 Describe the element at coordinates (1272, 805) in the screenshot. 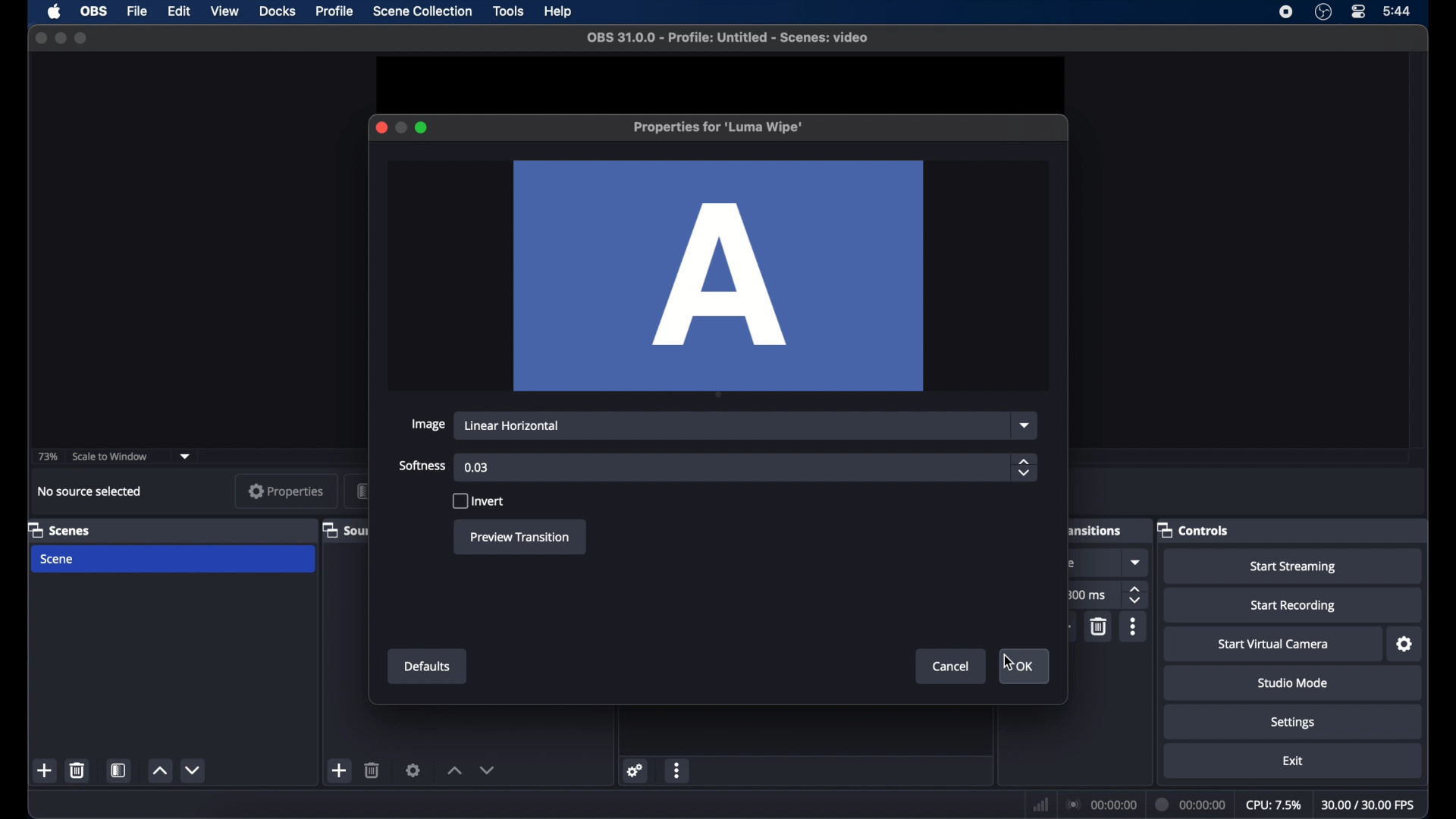

I see `cpu` at that location.